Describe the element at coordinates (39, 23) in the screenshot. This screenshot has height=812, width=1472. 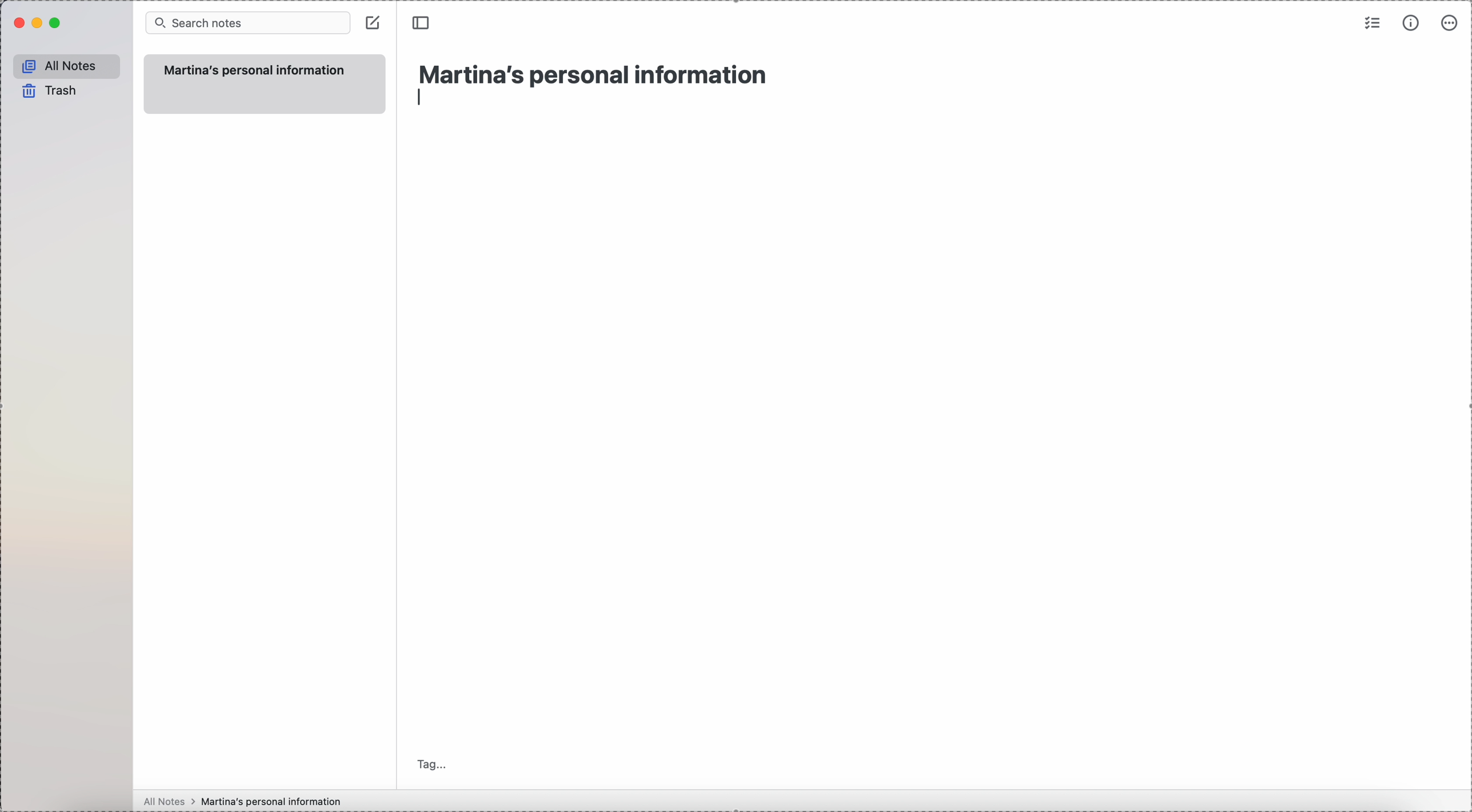
I see `minimize Simplenote` at that location.